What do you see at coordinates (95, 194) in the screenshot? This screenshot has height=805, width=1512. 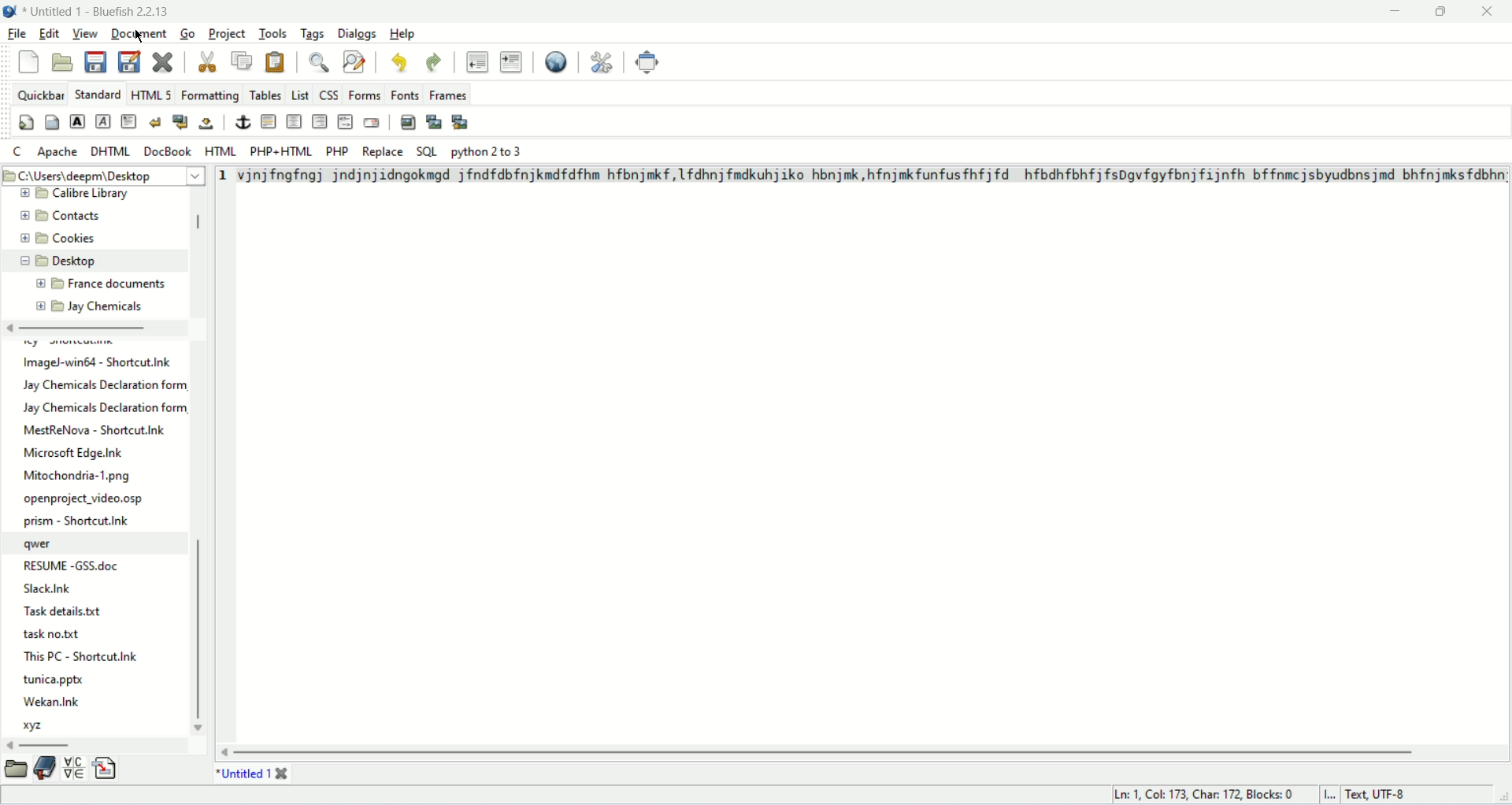 I see `Calibre Library` at bounding box center [95, 194].